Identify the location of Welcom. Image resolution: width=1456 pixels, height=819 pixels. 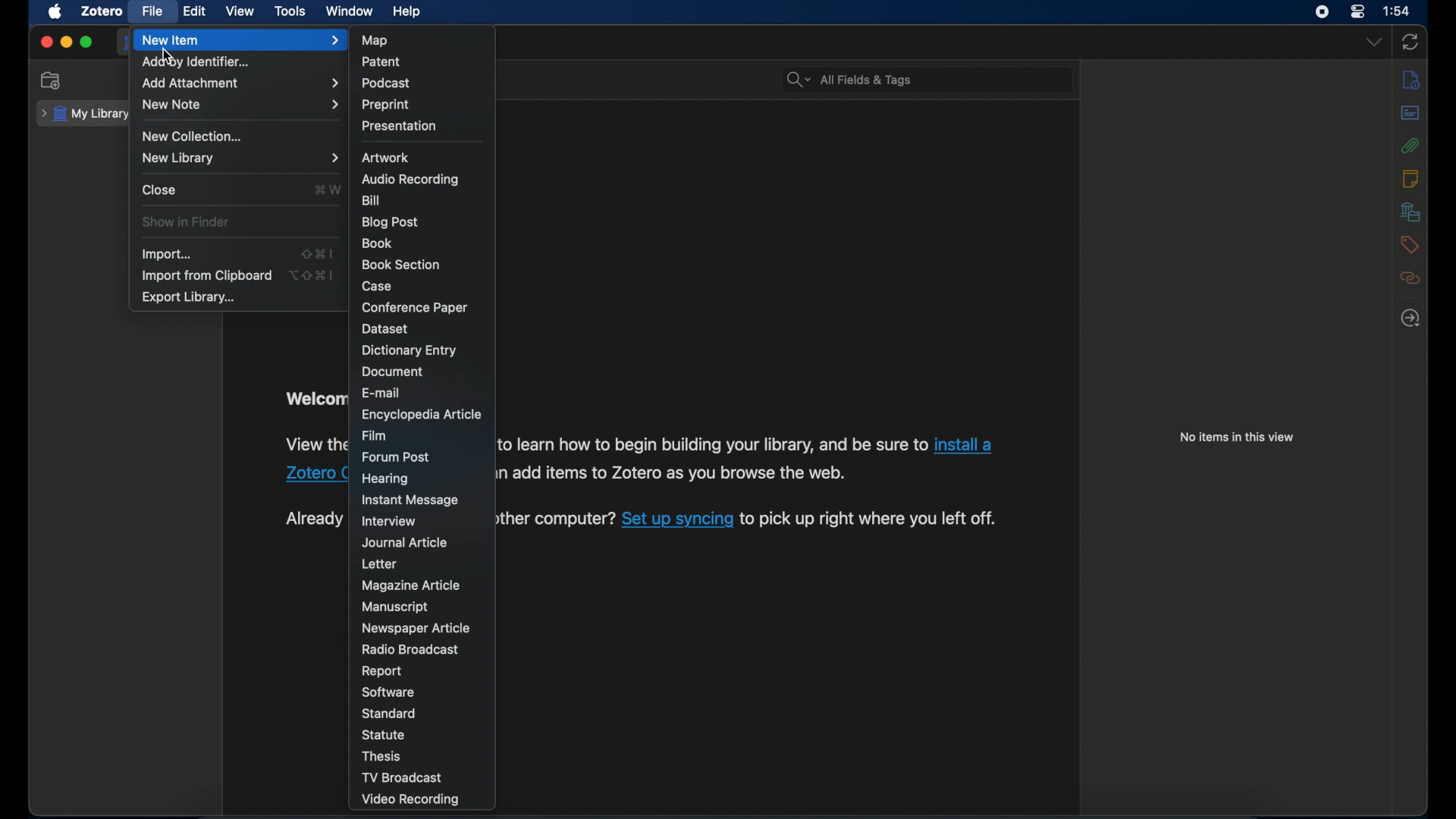
(312, 398).